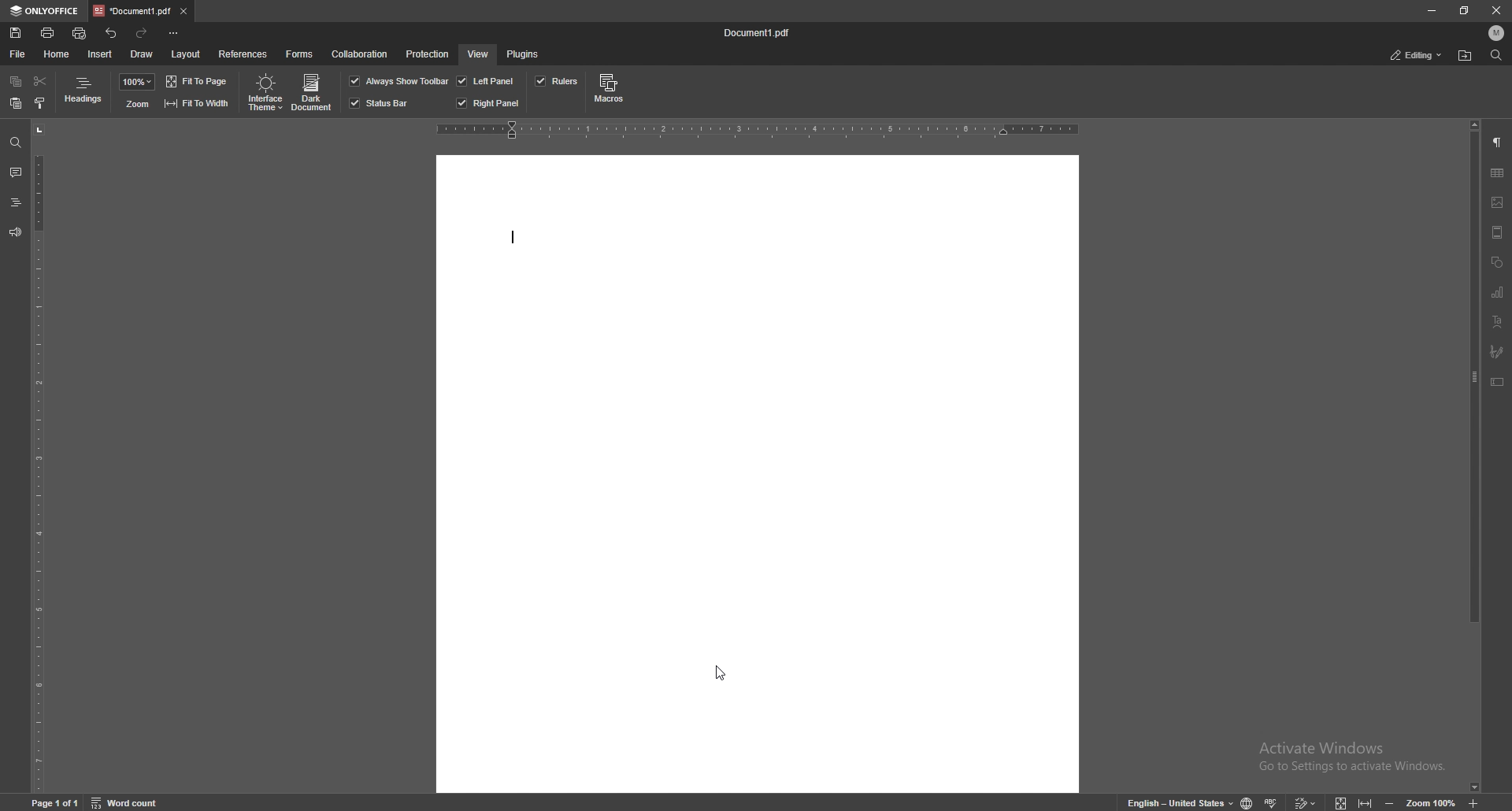 The image size is (1512, 811). I want to click on rulers, so click(556, 81).